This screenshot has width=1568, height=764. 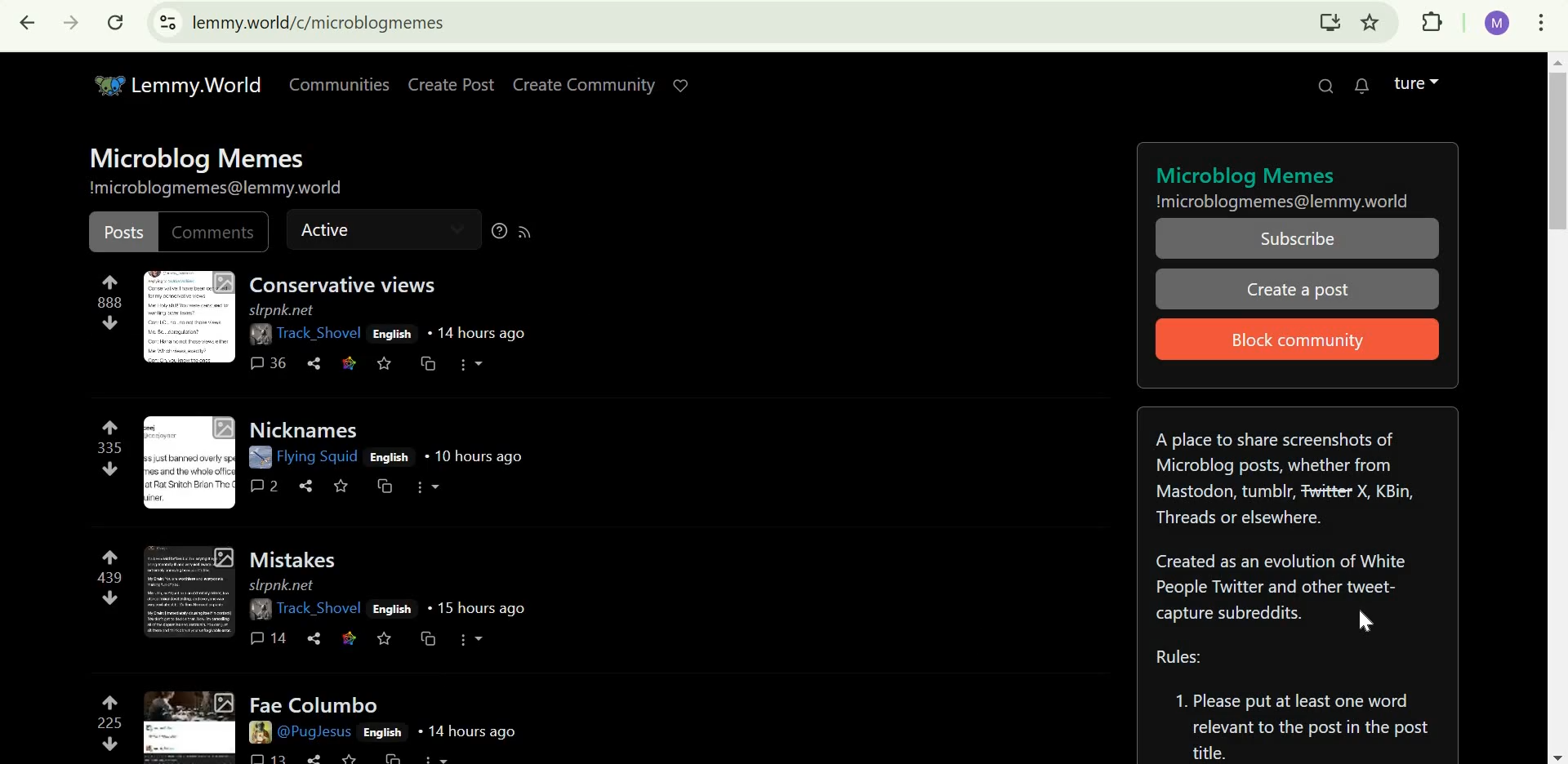 What do you see at coordinates (474, 455) in the screenshot?
I see `10 hours ago` at bounding box center [474, 455].